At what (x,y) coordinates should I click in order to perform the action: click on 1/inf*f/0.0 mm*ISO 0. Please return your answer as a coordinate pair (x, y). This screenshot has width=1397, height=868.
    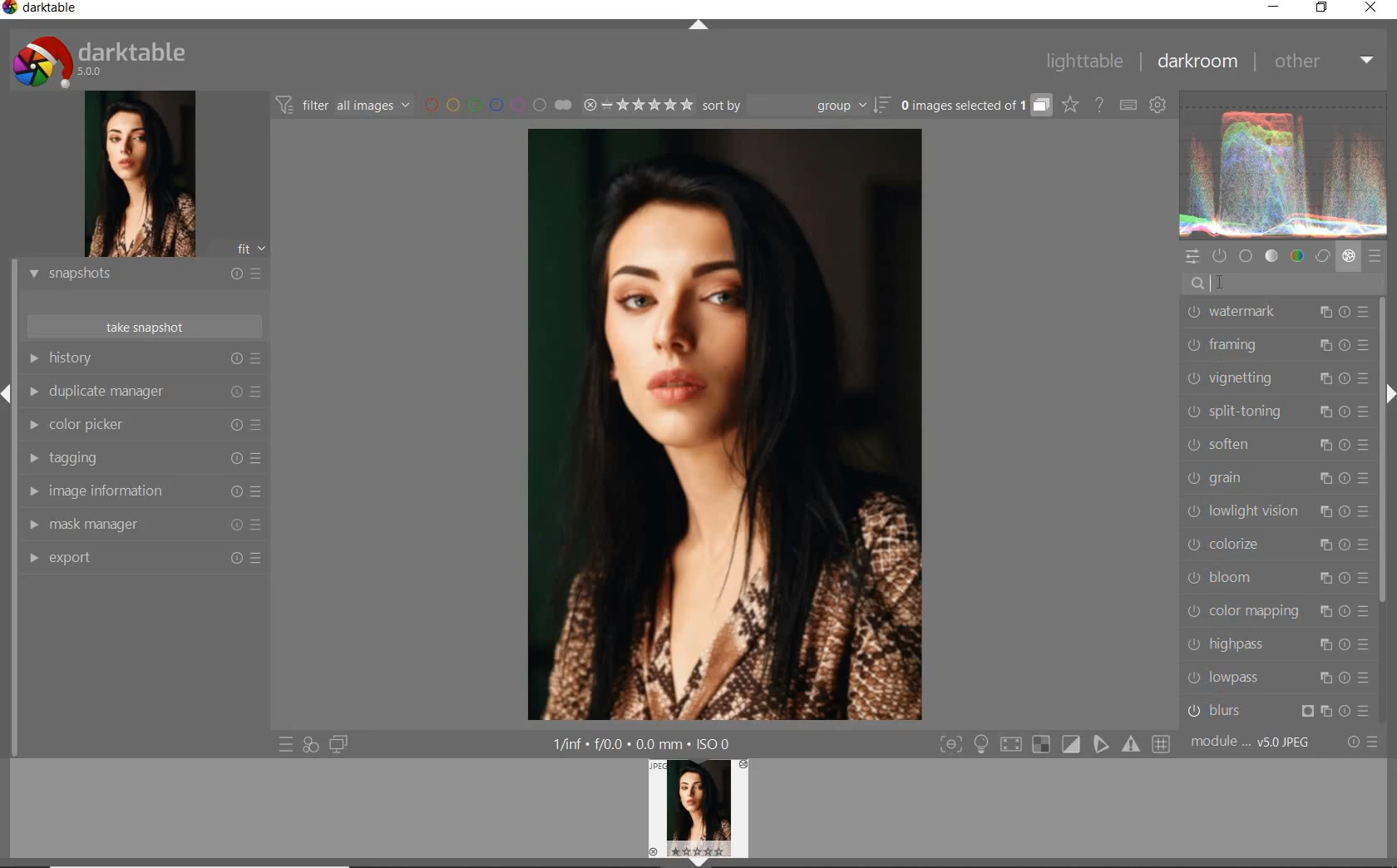
    Looking at the image, I should click on (644, 743).